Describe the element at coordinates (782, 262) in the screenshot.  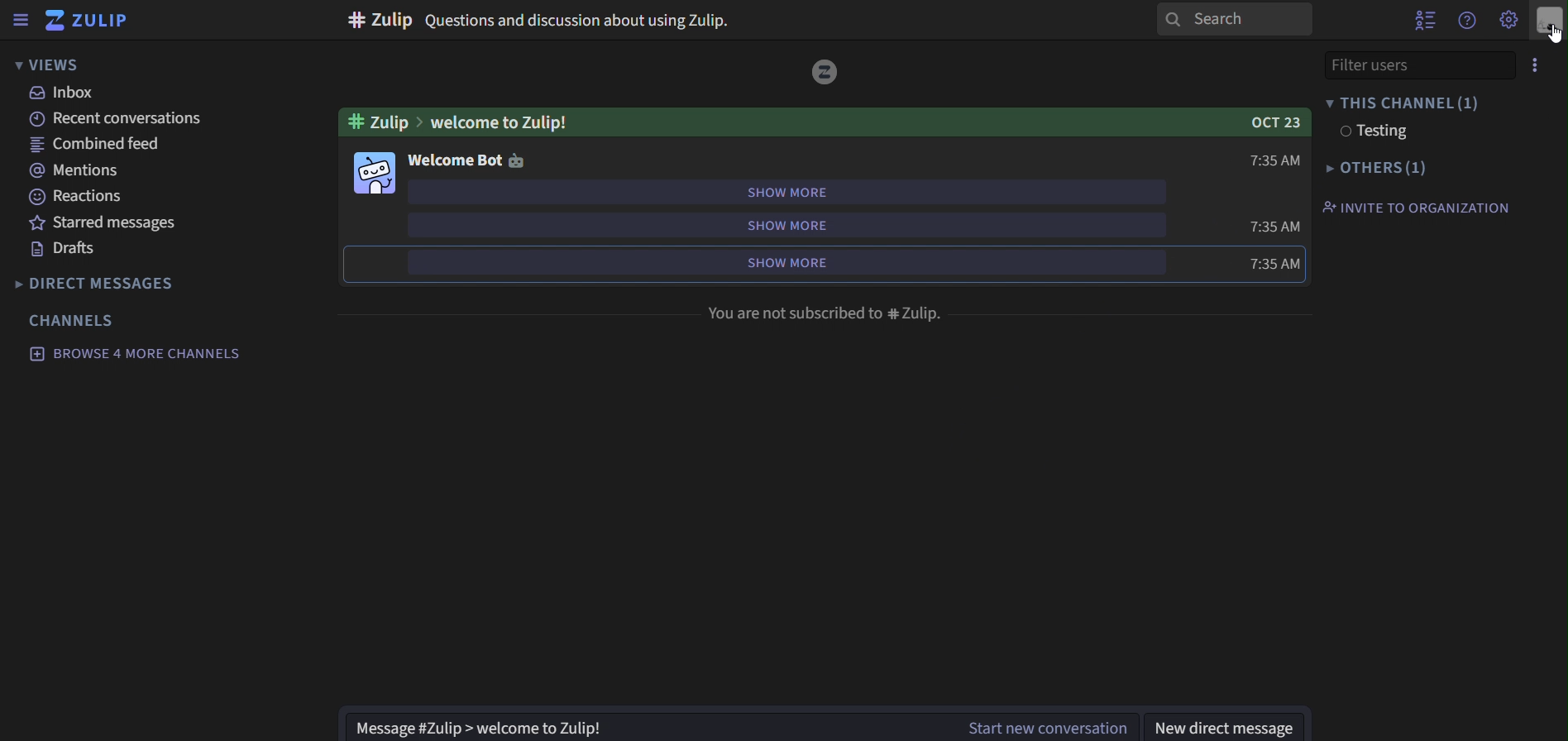
I see `show more` at that location.